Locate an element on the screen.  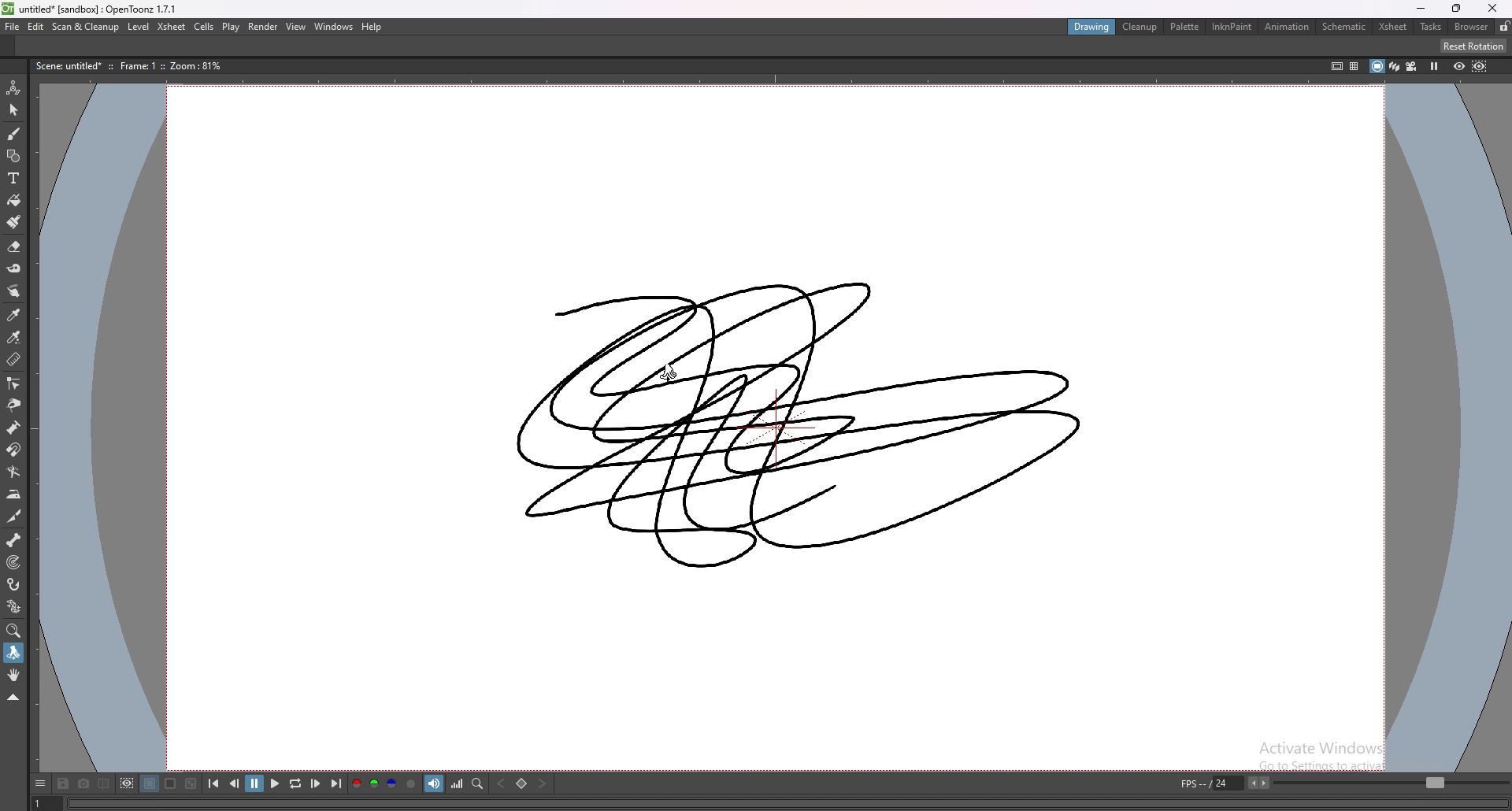
hook is located at coordinates (13, 583).